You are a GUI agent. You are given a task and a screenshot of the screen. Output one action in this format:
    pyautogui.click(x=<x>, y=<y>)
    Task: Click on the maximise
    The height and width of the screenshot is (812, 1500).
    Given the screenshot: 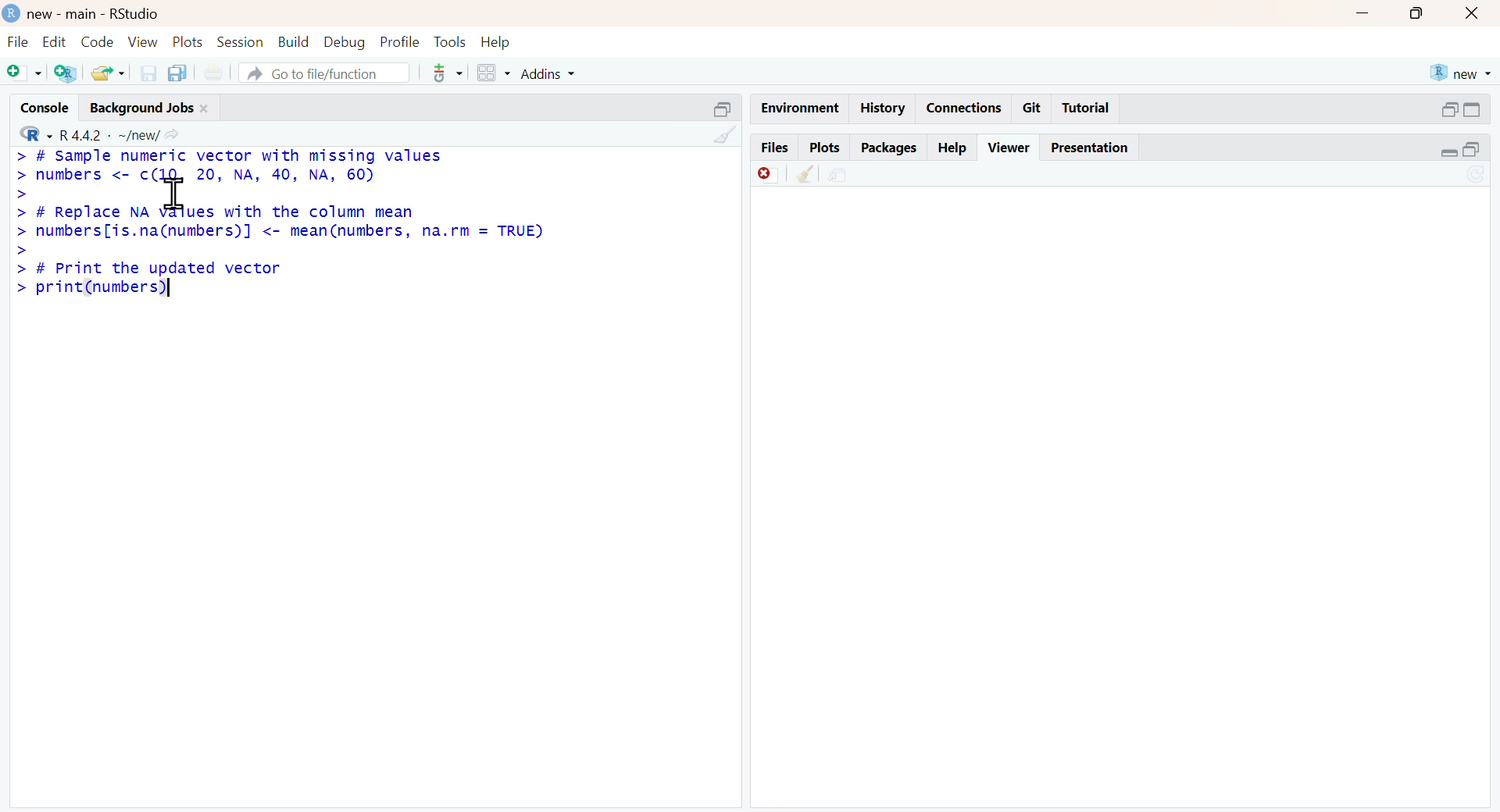 What is the action you would take?
    pyautogui.click(x=1418, y=13)
    